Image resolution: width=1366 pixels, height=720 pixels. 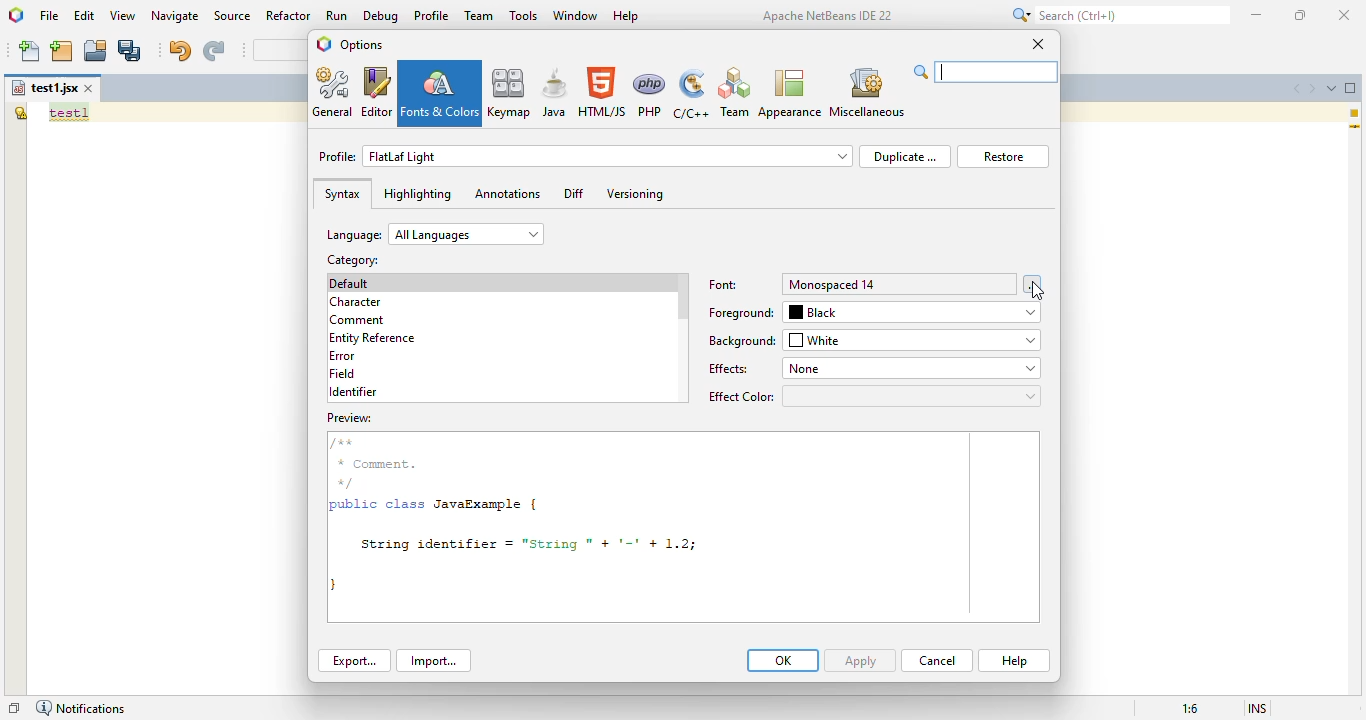 I want to click on HTML/JS, so click(x=603, y=92).